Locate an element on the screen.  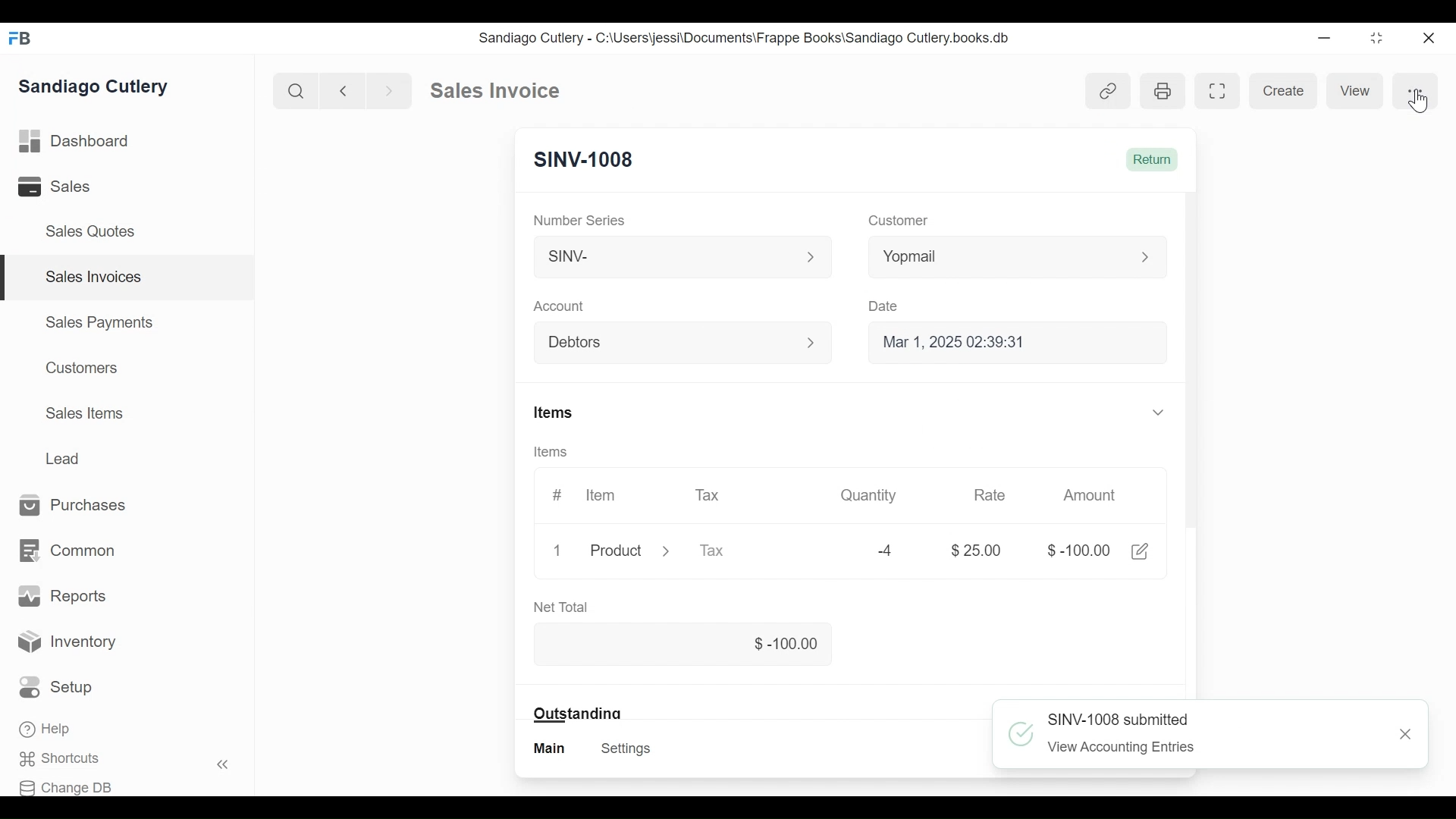
Main is located at coordinates (551, 748).